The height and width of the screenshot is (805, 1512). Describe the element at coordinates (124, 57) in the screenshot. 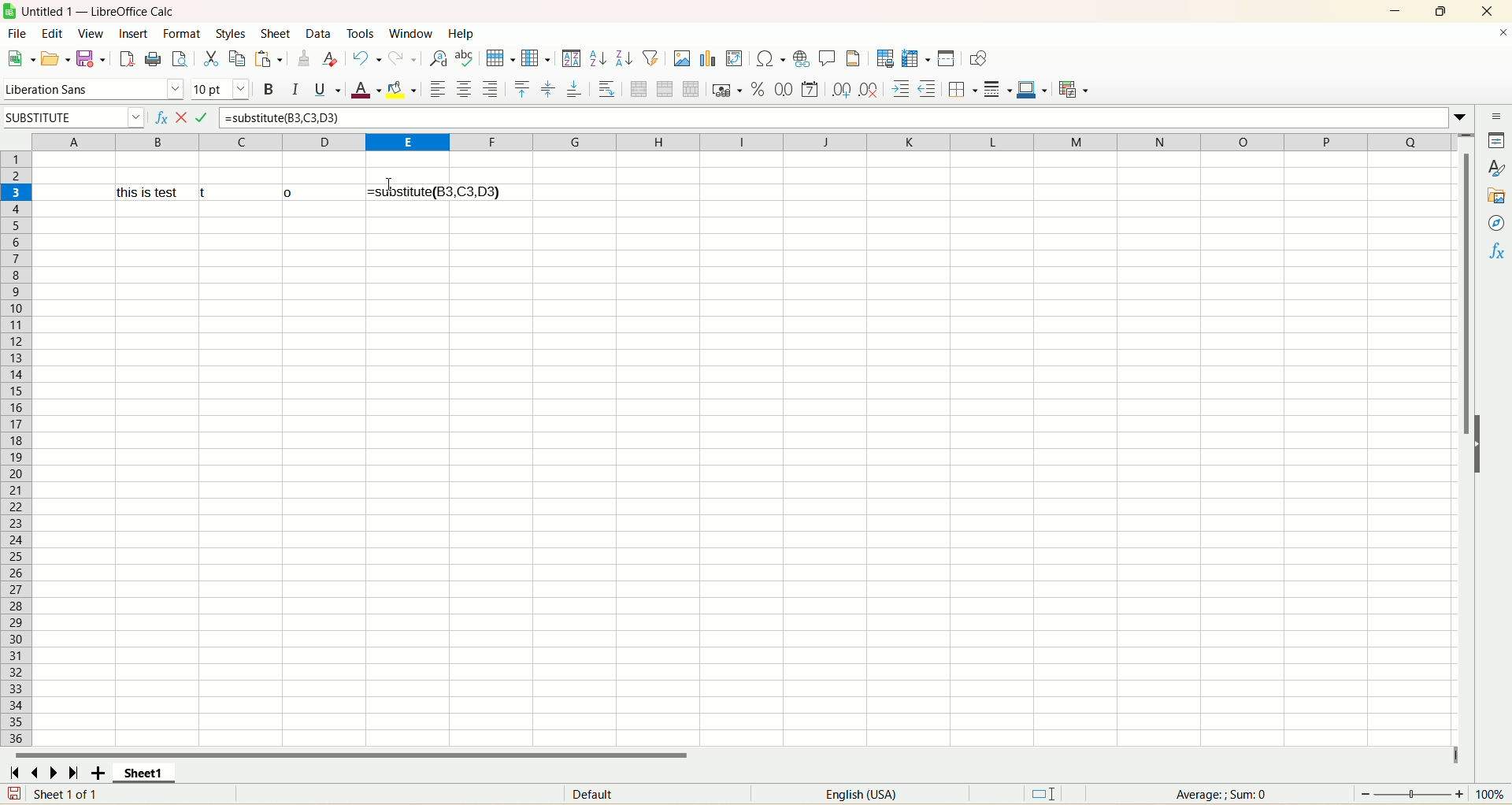

I see `export directly as PDF` at that location.